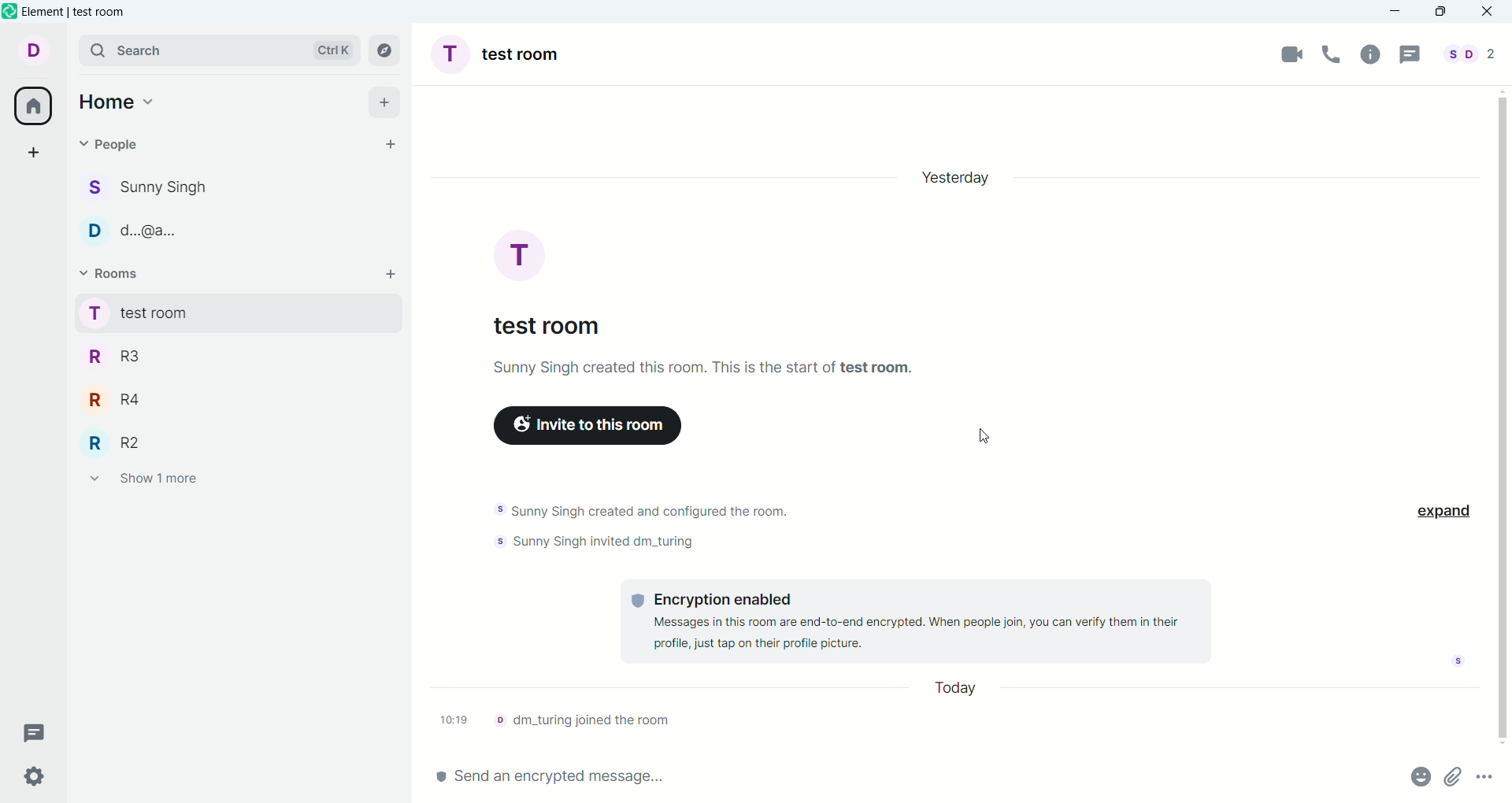 This screenshot has width=1512, height=803. What do you see at coordinates (1458, 661) in the screenshot?
I see `seen by notification` at bounding box center [1458, 661].